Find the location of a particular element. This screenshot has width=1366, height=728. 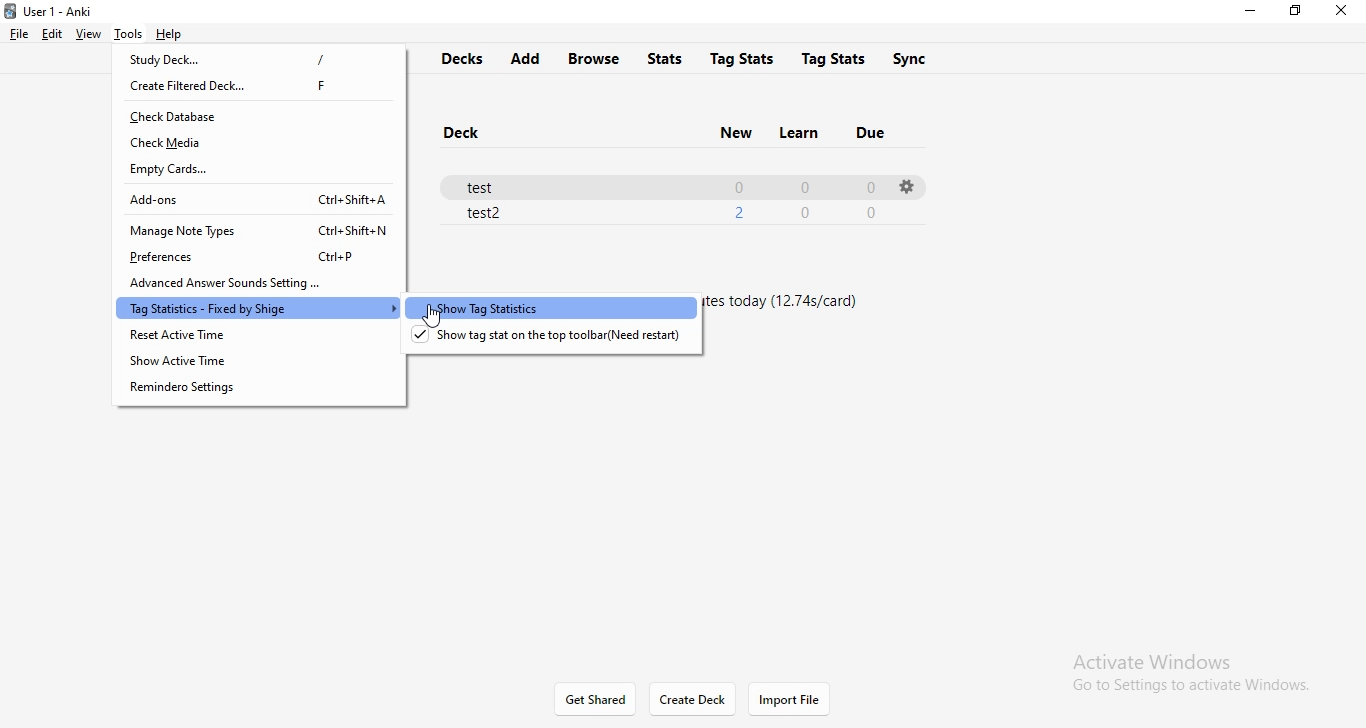

preferences is located at coordinates (252, 256).